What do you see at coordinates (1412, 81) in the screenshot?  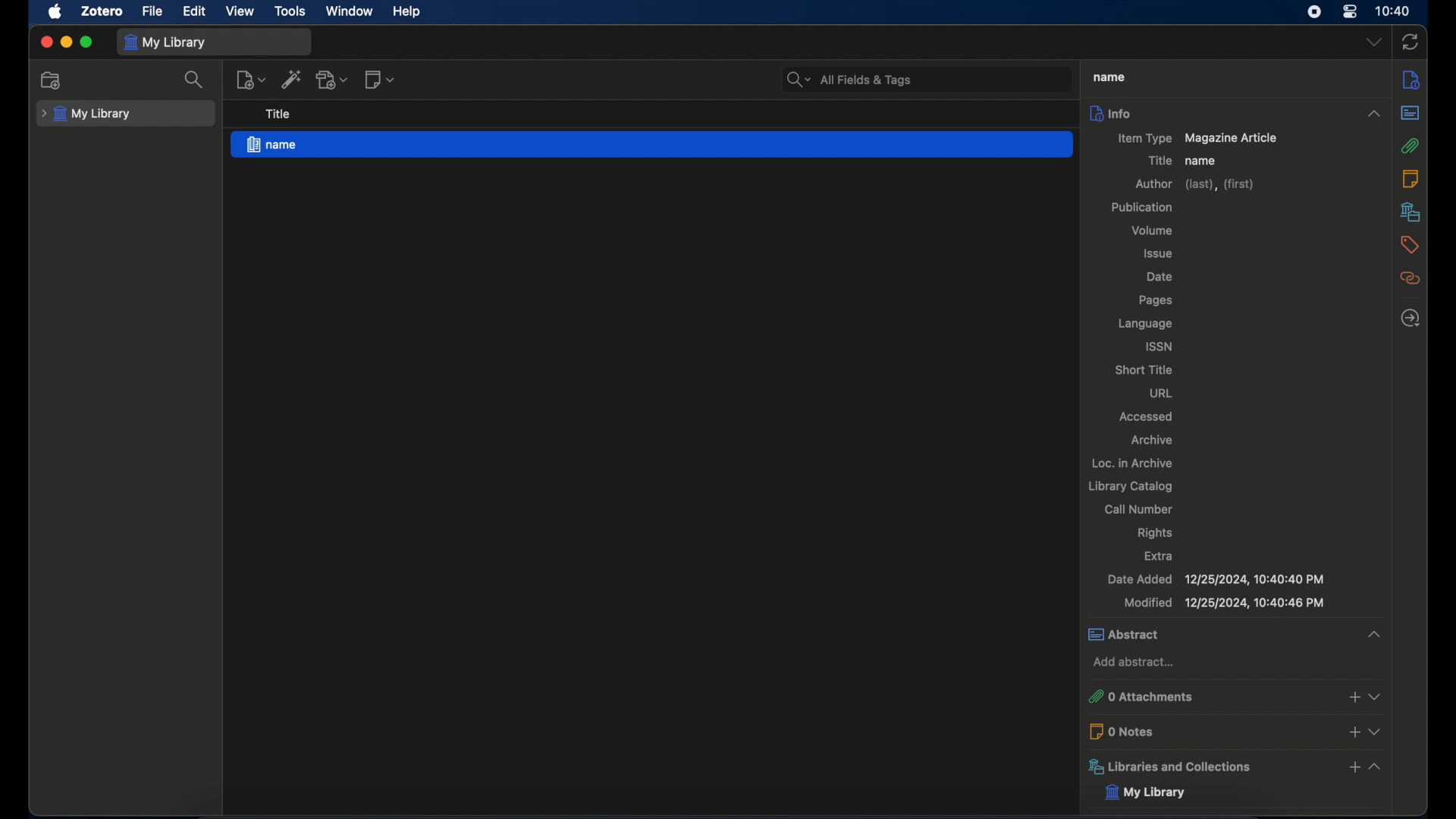 I see `info` at bounding box center [1412, 81].